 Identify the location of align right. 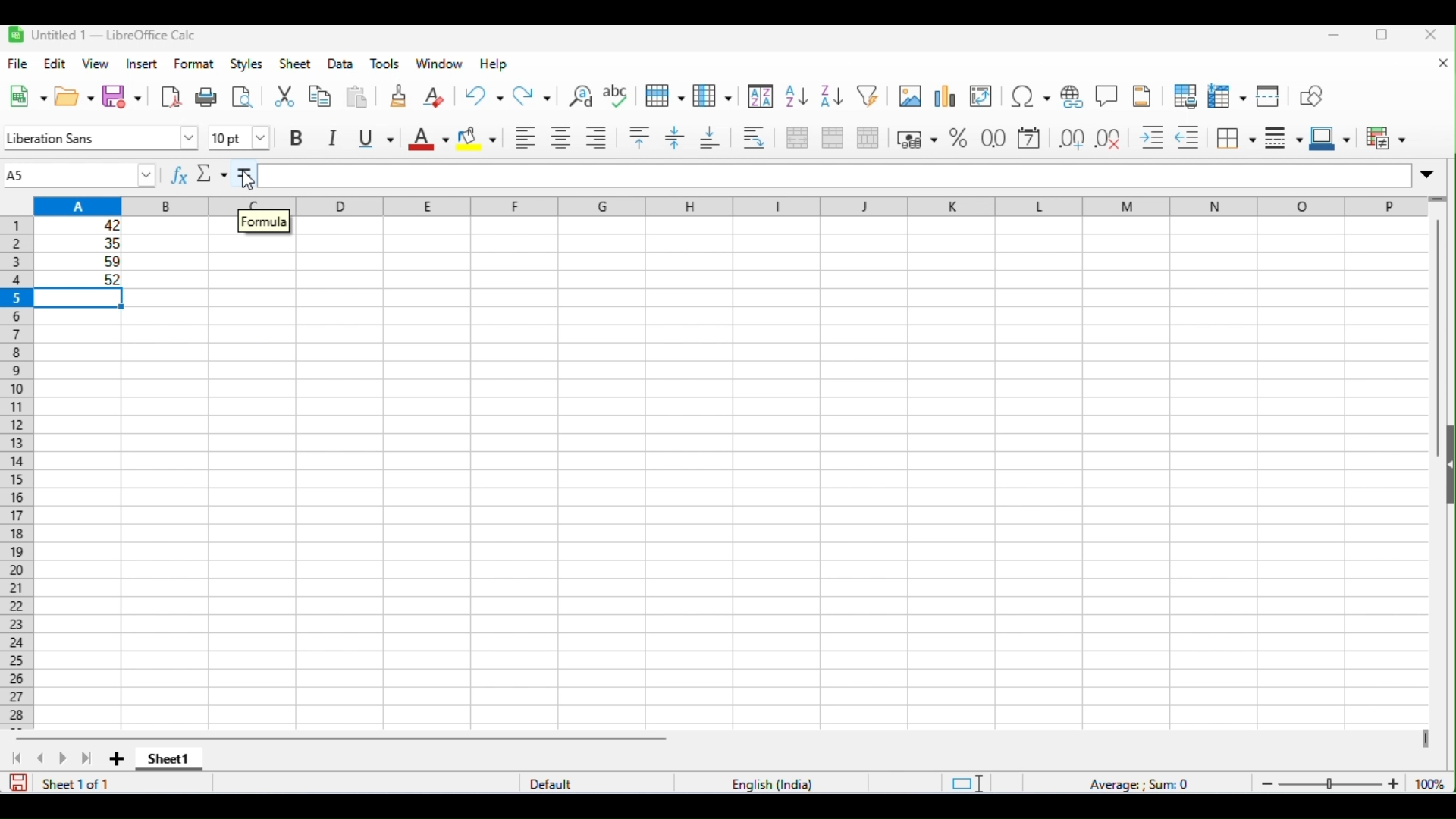
(596, 136).